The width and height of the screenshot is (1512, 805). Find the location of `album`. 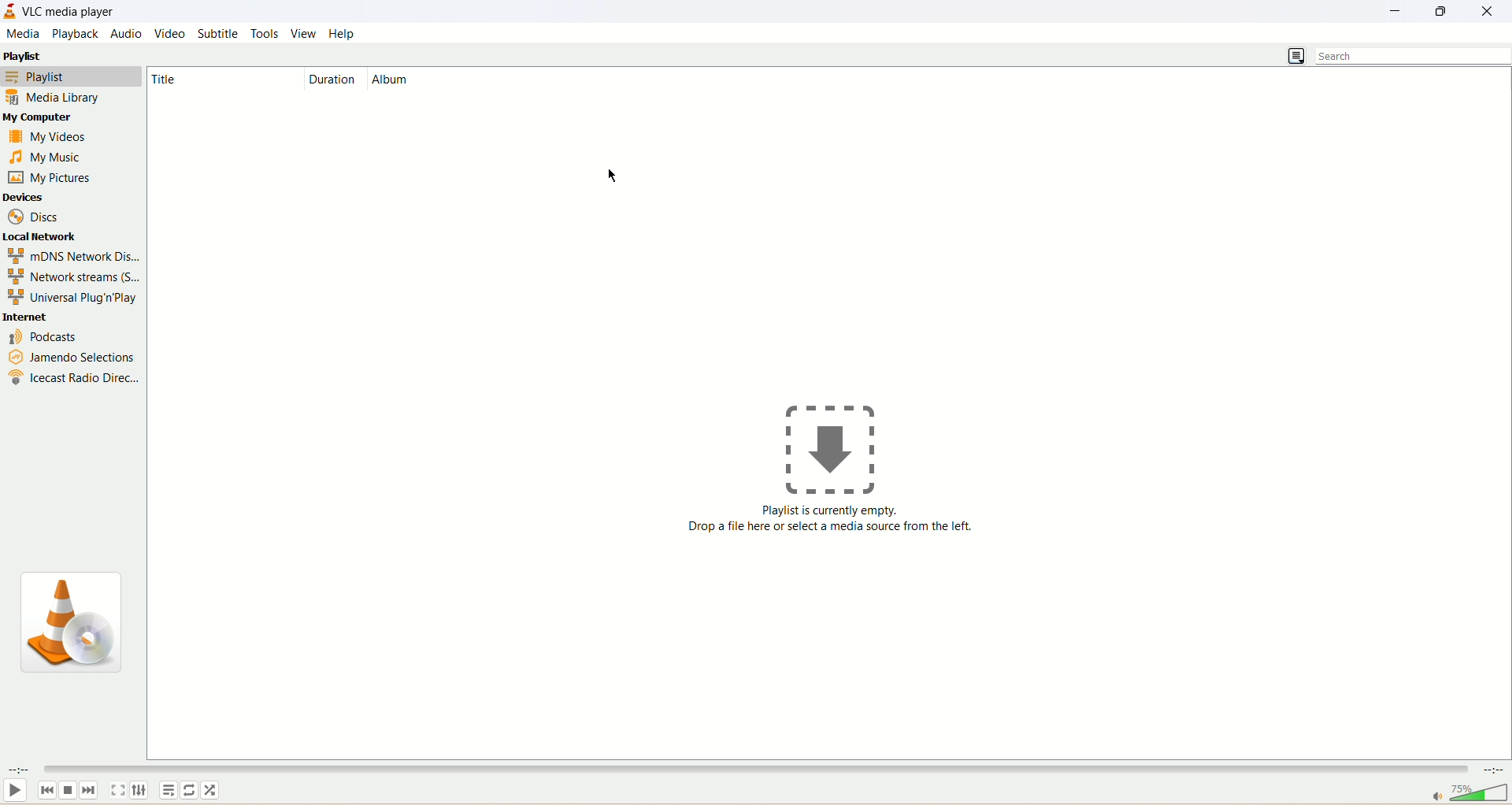

album is located at coordinates (395, 80).